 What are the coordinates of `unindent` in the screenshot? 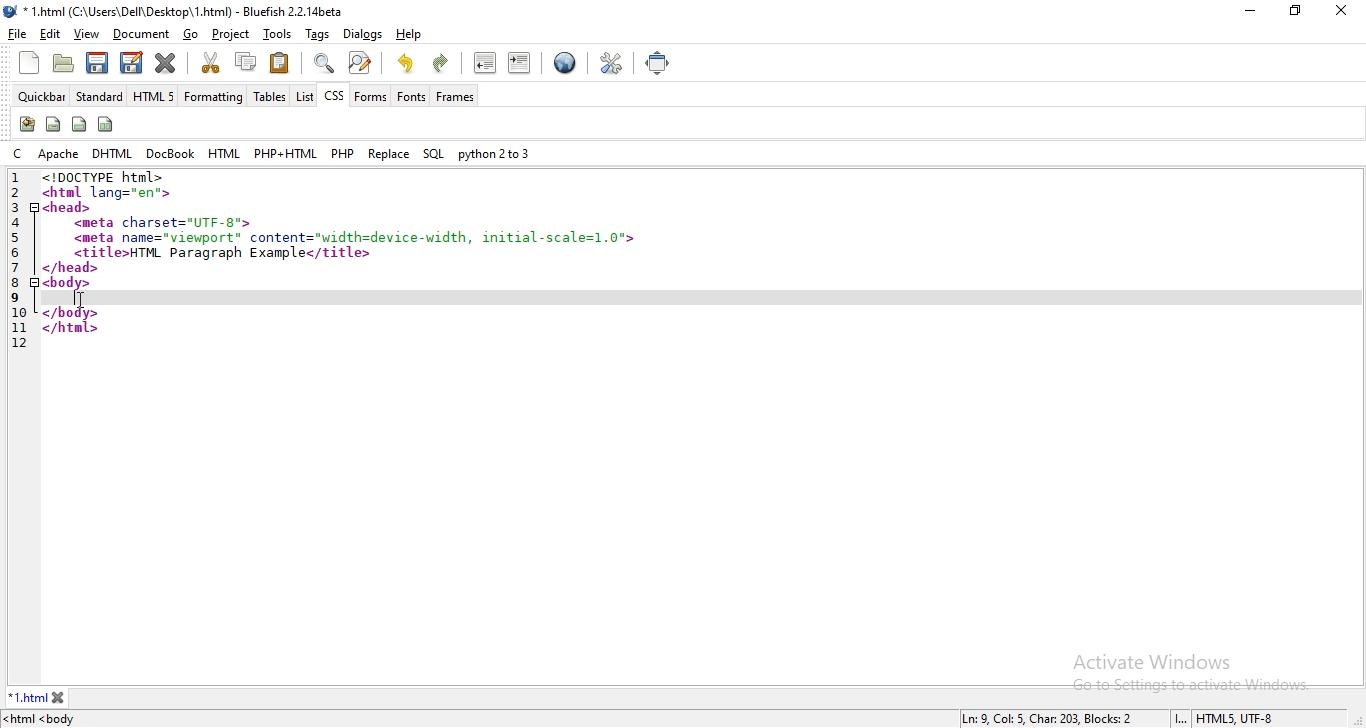 It's located at (484, 63).